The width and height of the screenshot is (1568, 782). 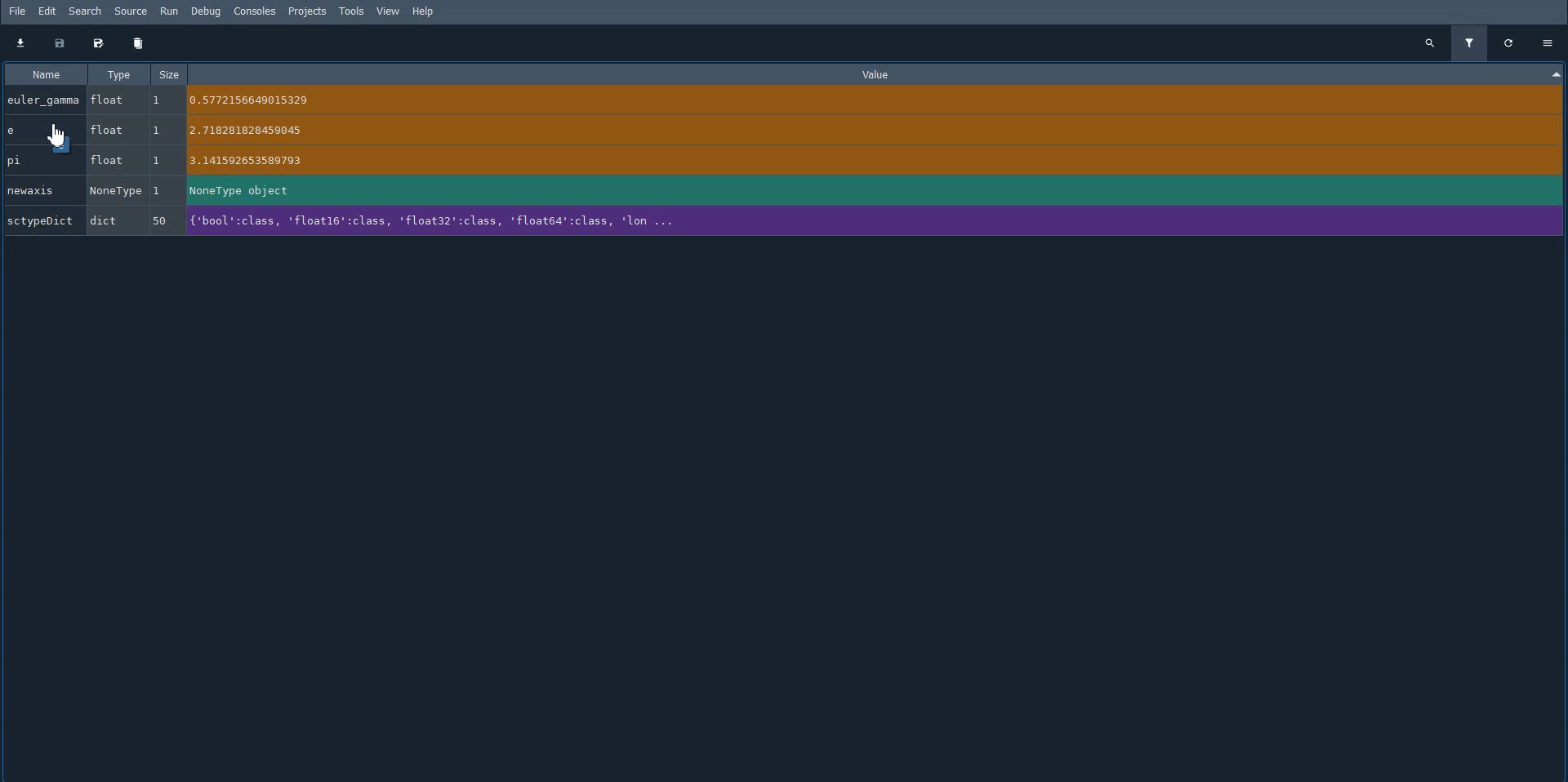 What do you see at coordinates (51, 11) in the screenshot?
I see `Edit` at bounding box center [51, 11].